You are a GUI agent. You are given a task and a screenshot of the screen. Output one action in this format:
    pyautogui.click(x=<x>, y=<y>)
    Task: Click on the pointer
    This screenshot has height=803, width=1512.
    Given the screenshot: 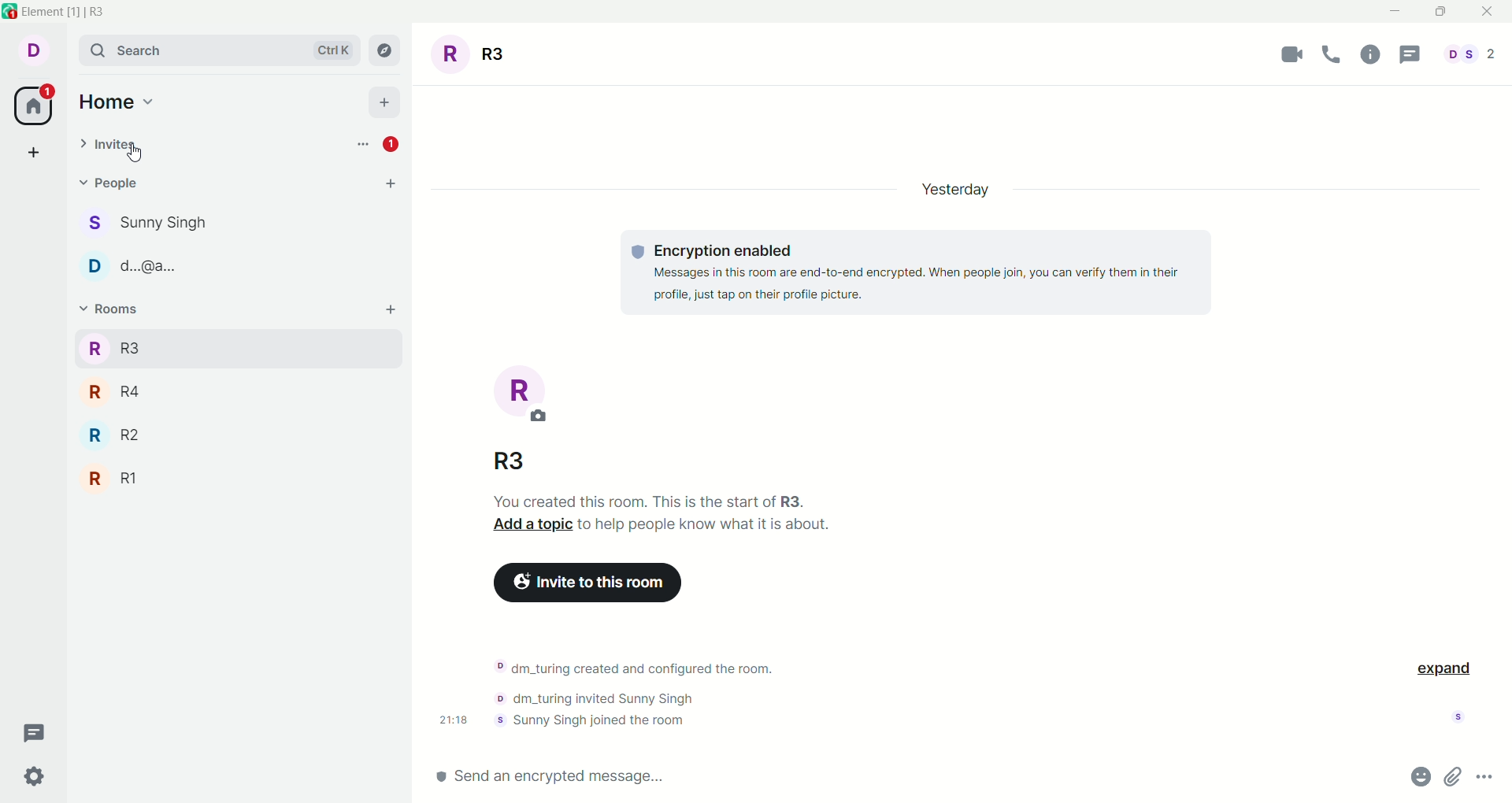 What is the action you would take?
    pyautogui.click(x=134, y=153)
    